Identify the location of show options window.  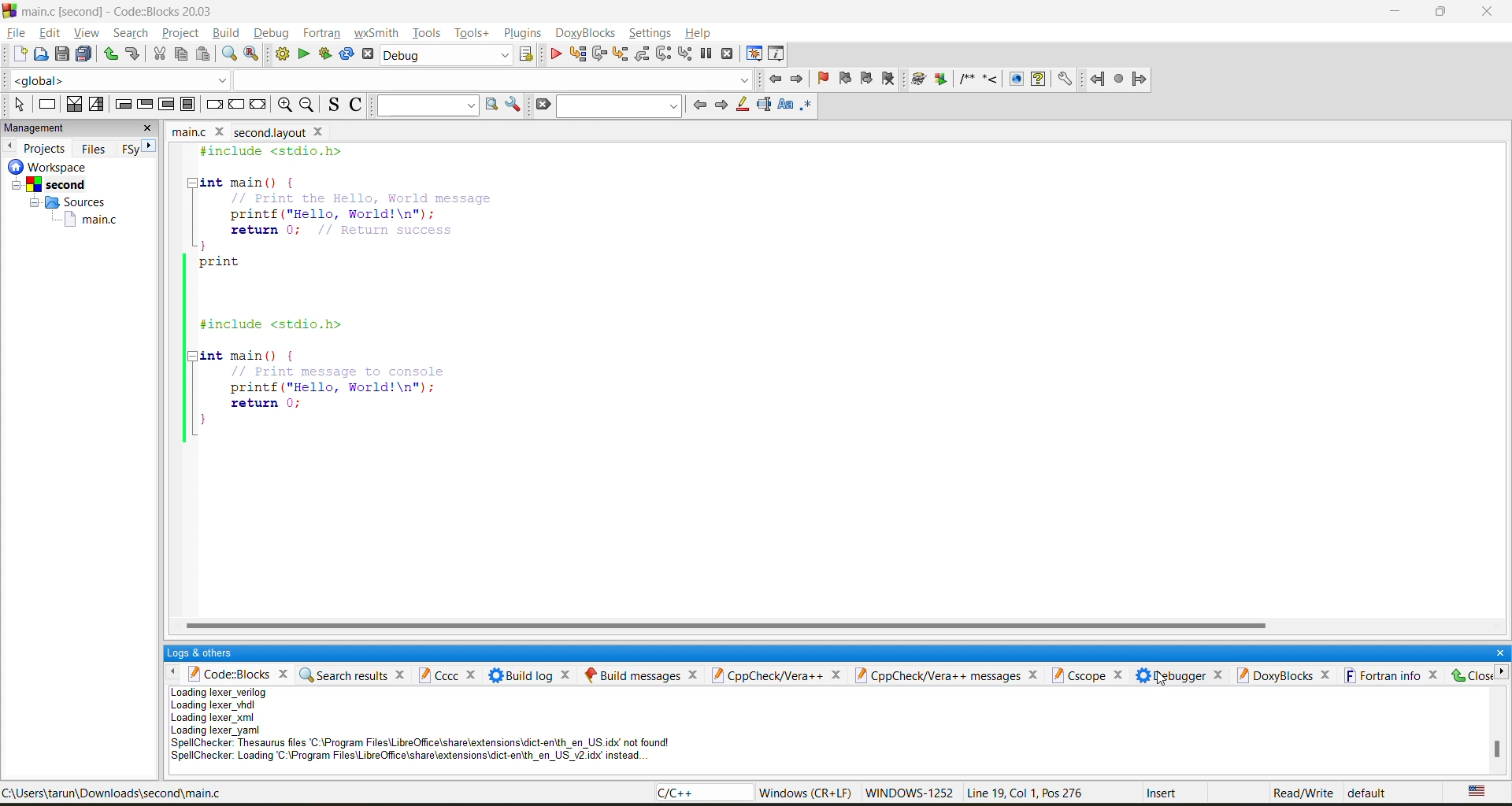
(513, 104).